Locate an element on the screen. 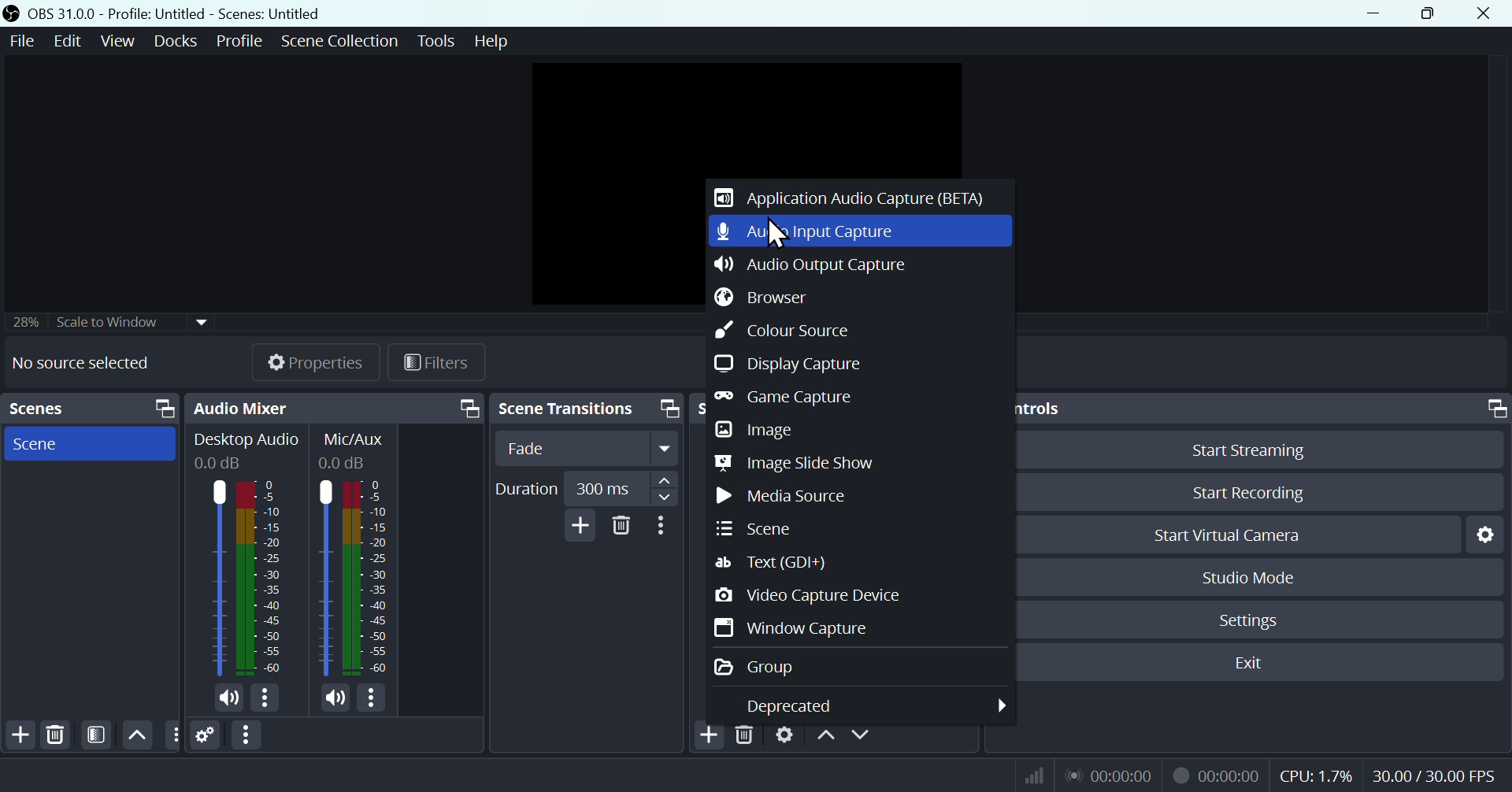  Audio output capture is located at coordinates (816, 265).